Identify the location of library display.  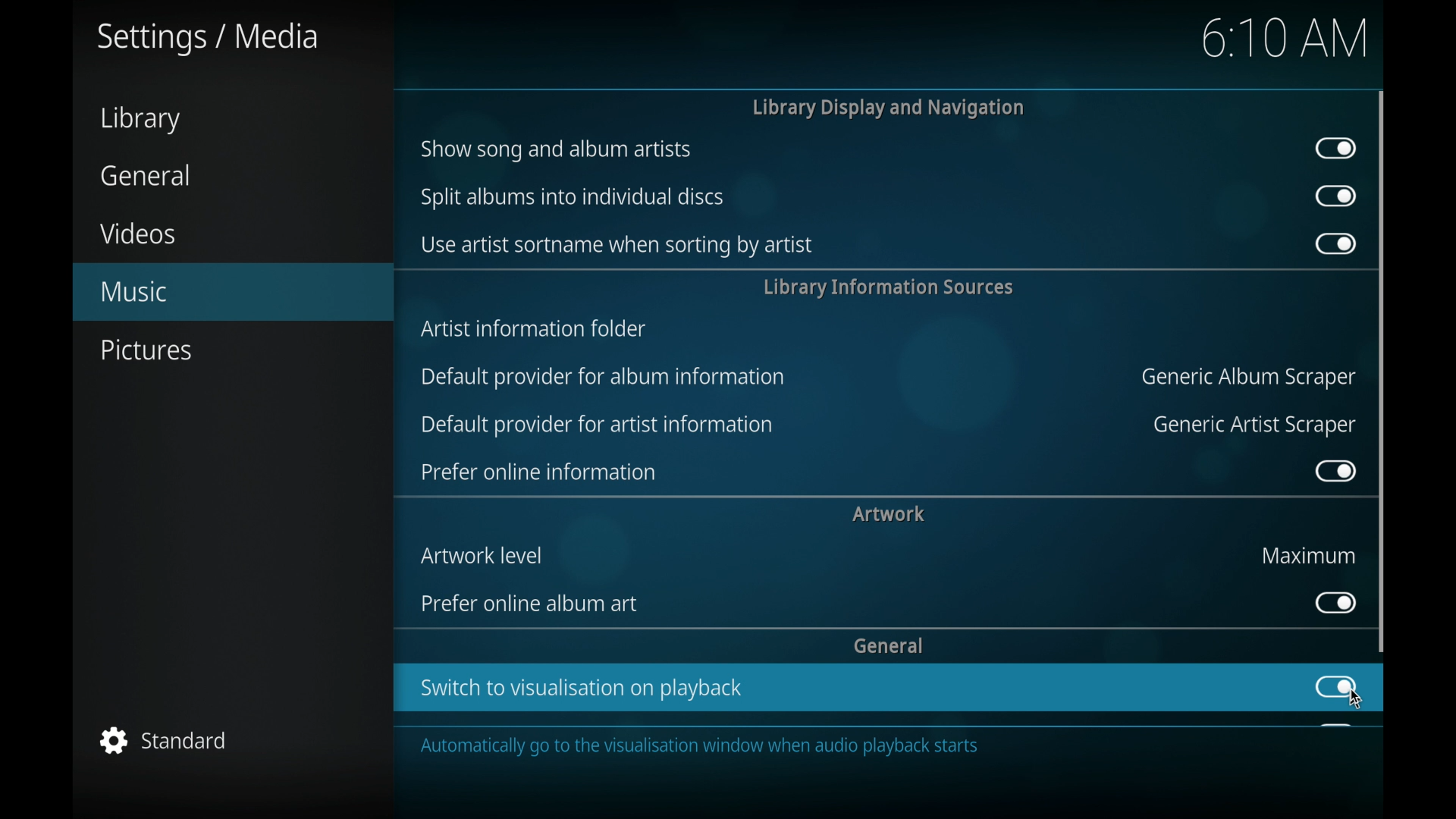
(889, 108).